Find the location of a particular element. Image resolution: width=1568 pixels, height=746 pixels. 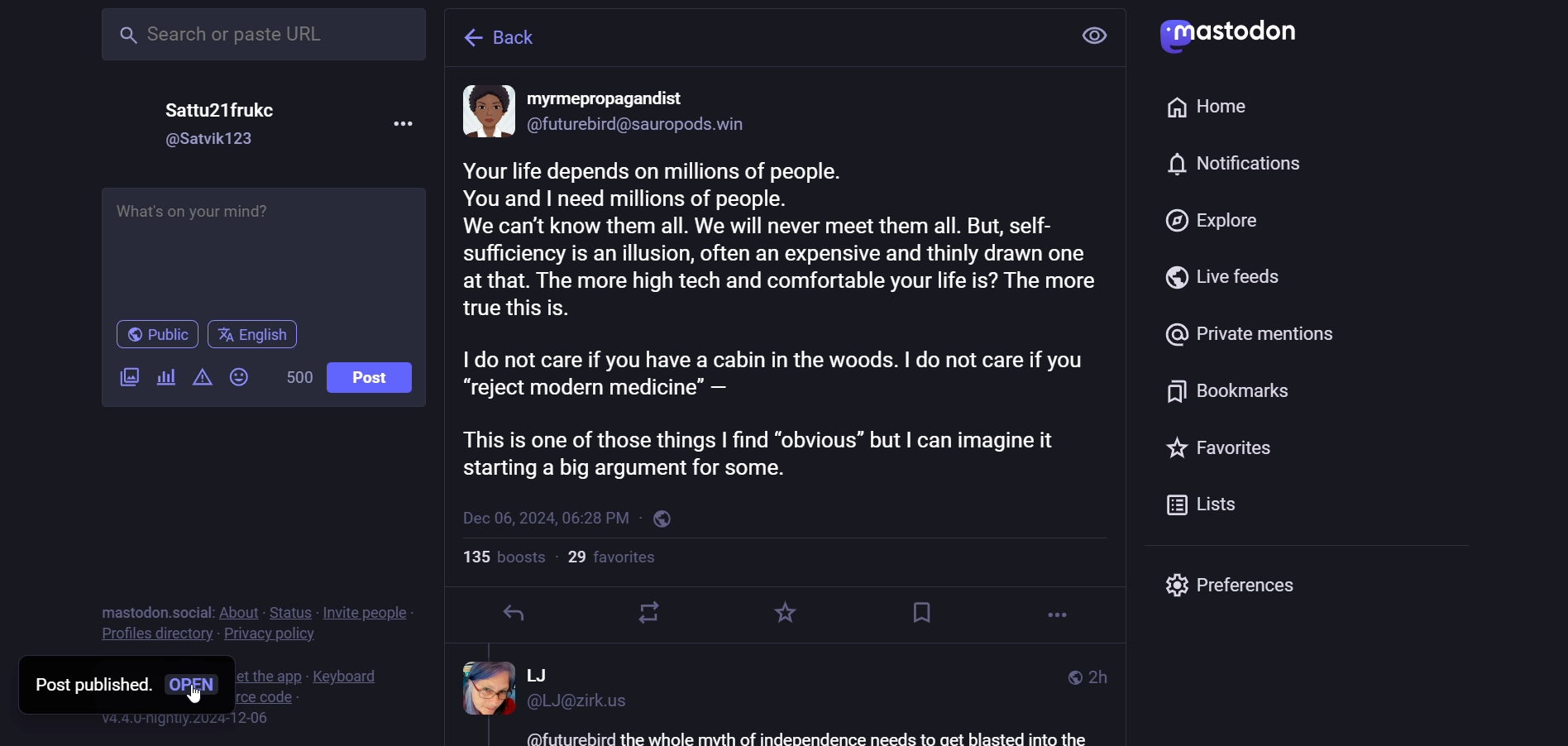

get the app is located at coordinates (266, 676).